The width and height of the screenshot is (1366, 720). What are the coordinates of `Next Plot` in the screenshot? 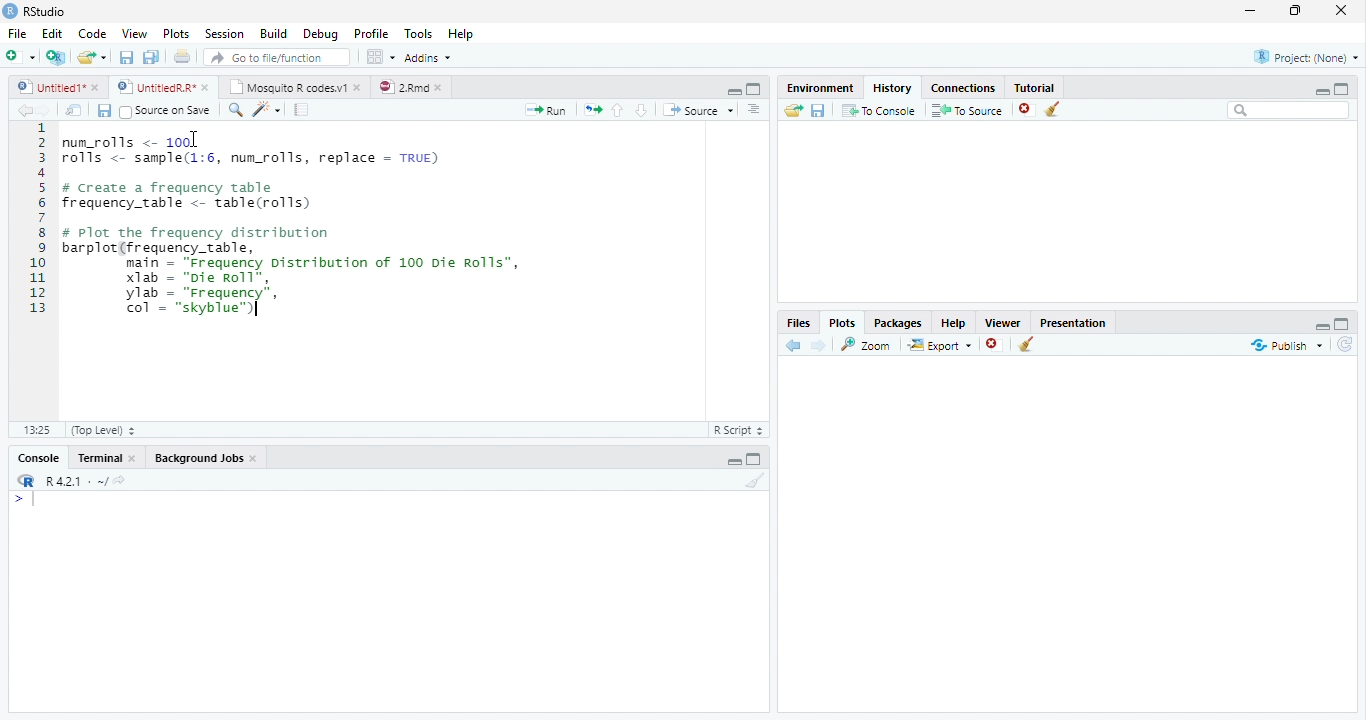 It's located at (820, 345).